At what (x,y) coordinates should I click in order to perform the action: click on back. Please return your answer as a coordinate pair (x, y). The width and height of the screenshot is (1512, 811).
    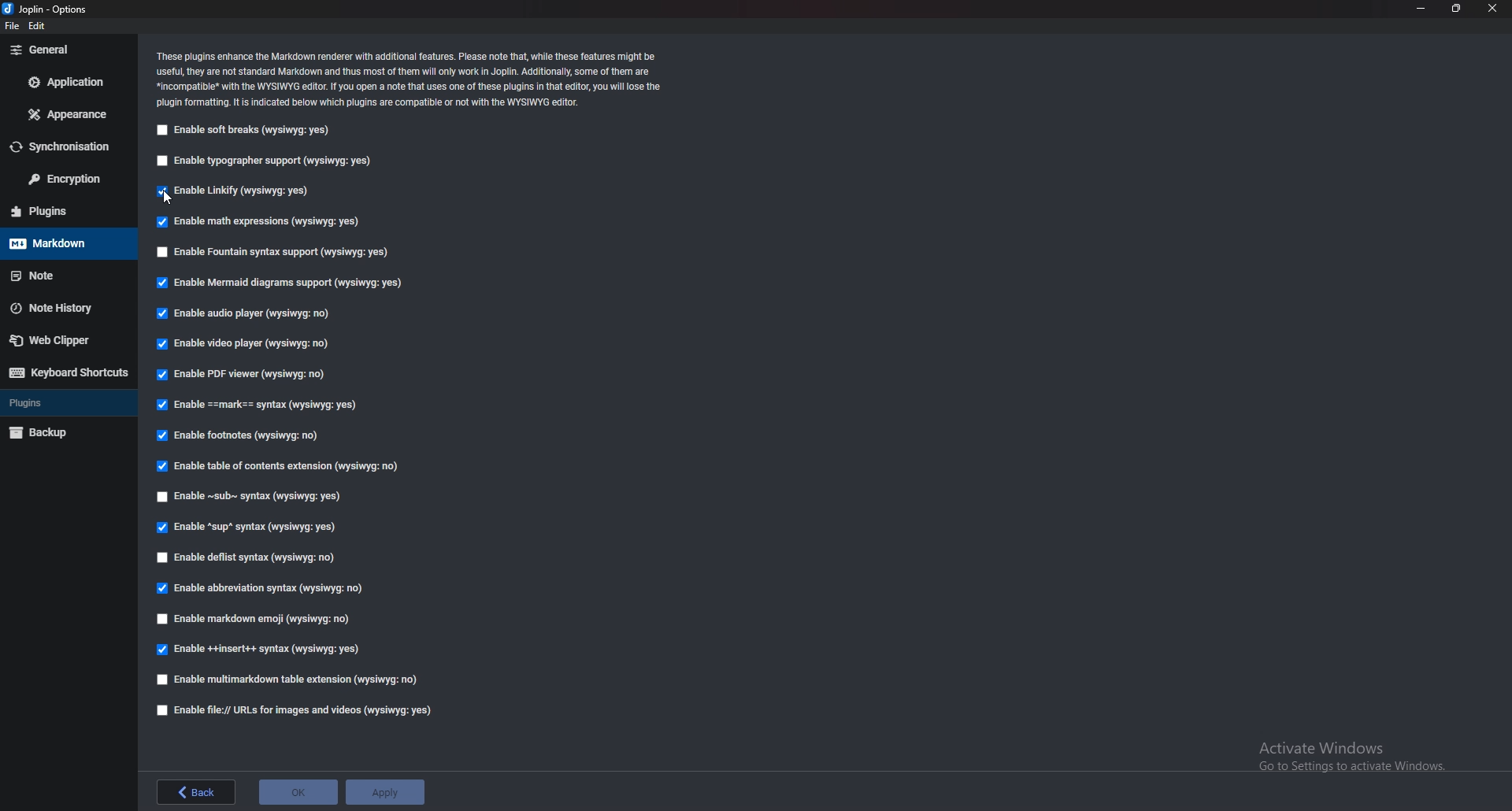
    Looking at the image, I should click on (195, 790).